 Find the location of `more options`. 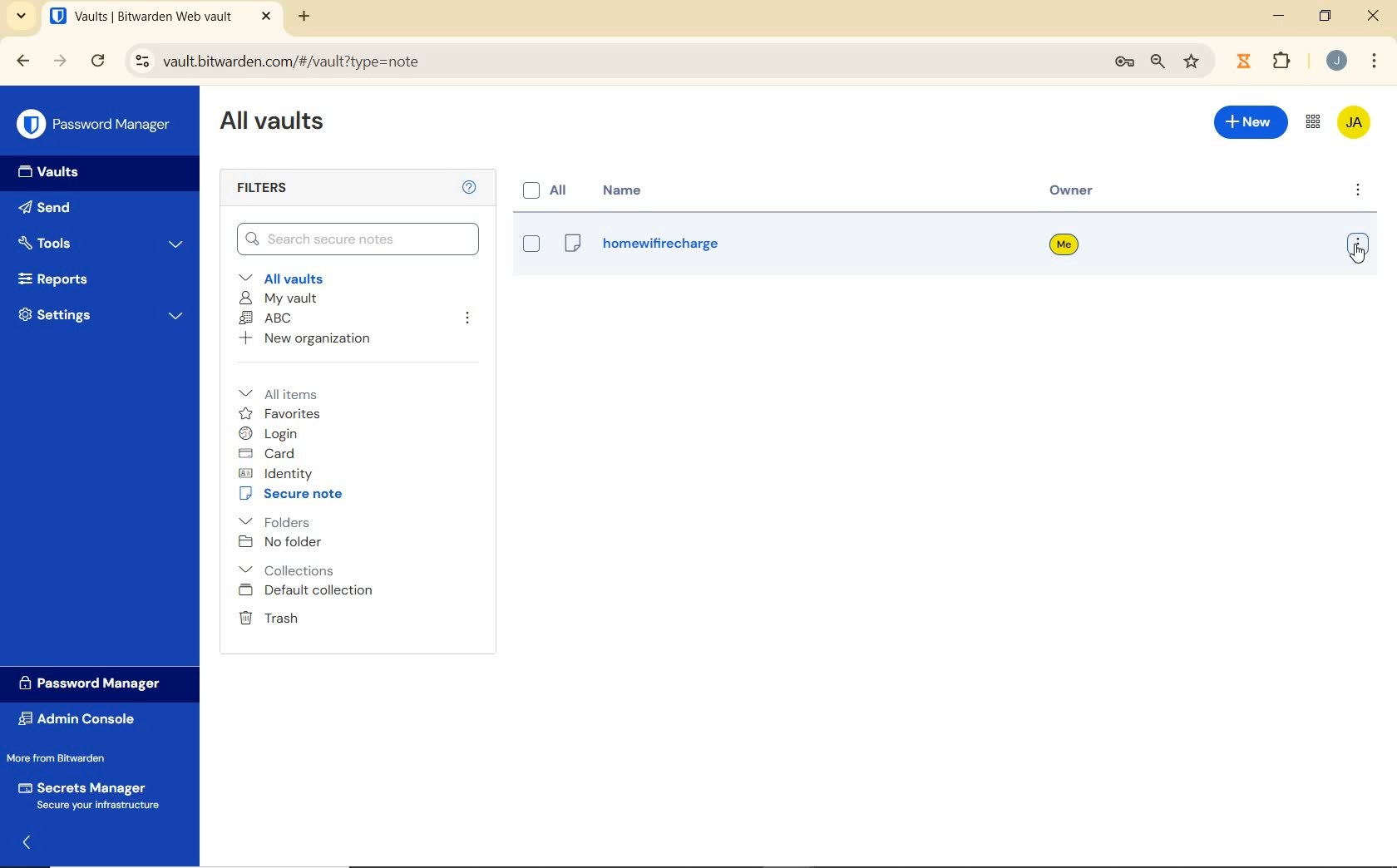

more options is located at coordinates (1356, 191).